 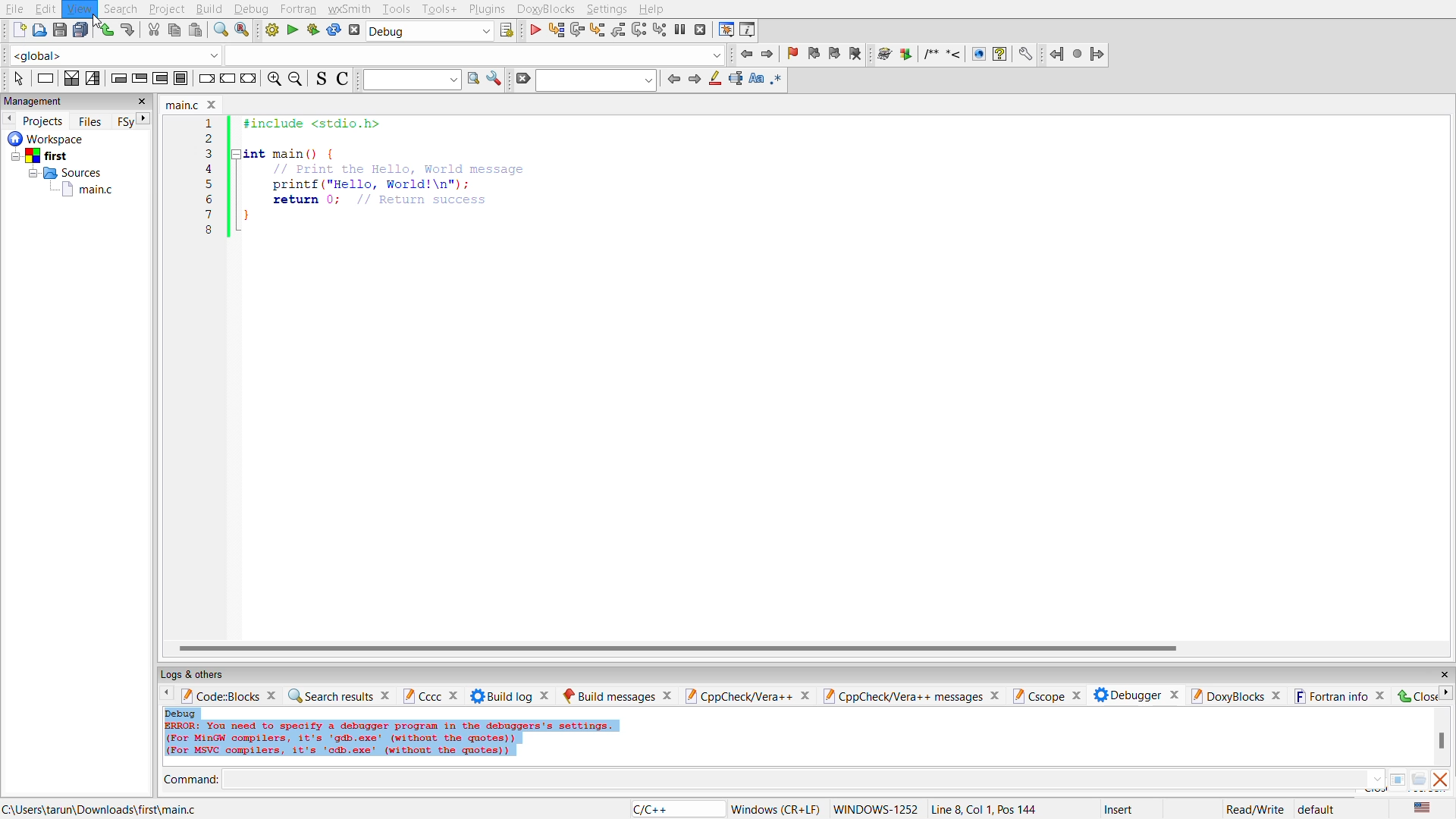 What do you see at coordinates (548, 9) in the screenshot?
I see `doxyblocks` at bounding box center [548, 9].